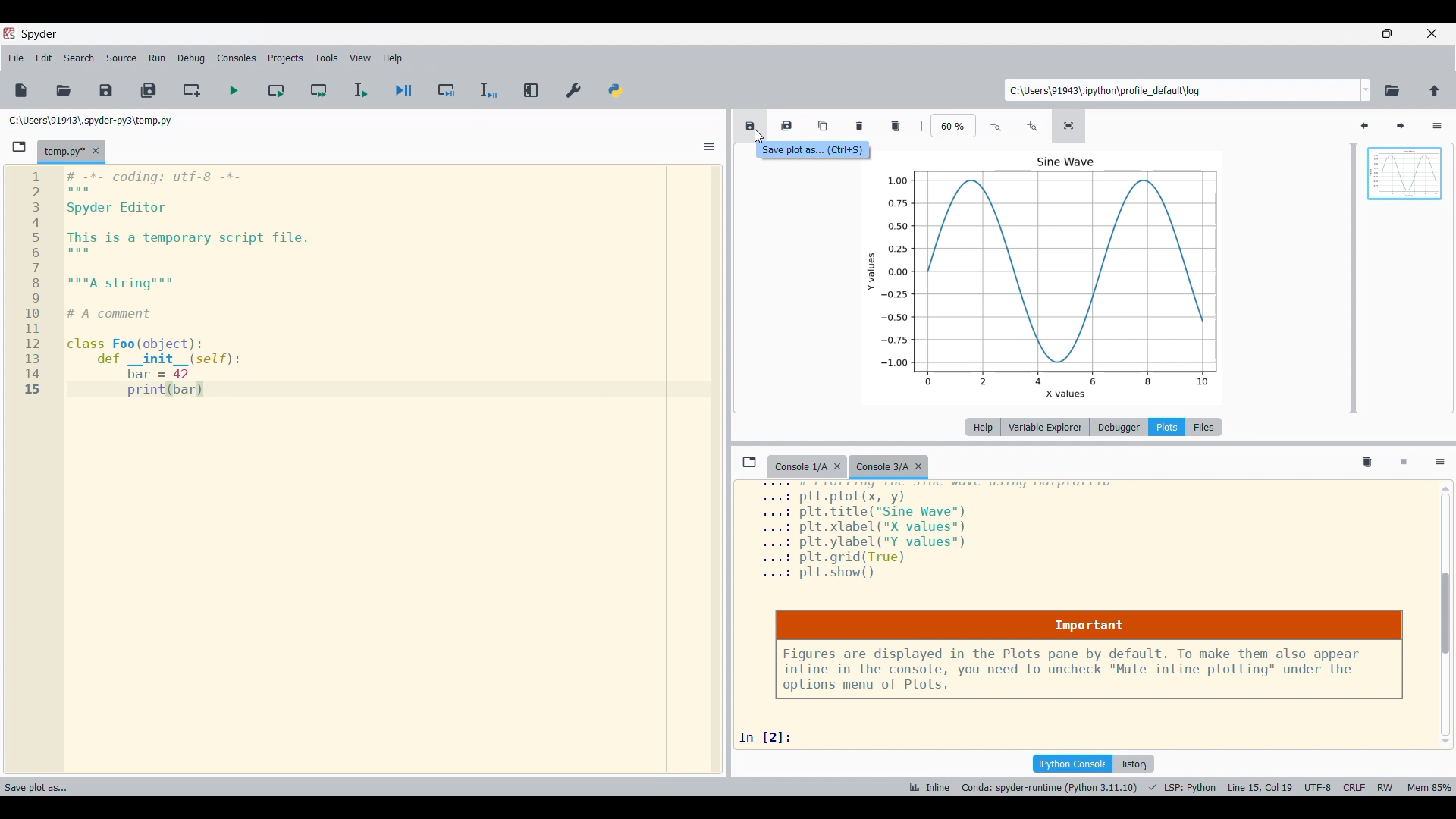 This screenshot has width=1456, height=819. I want to click on Current tab, so click(64, 152).